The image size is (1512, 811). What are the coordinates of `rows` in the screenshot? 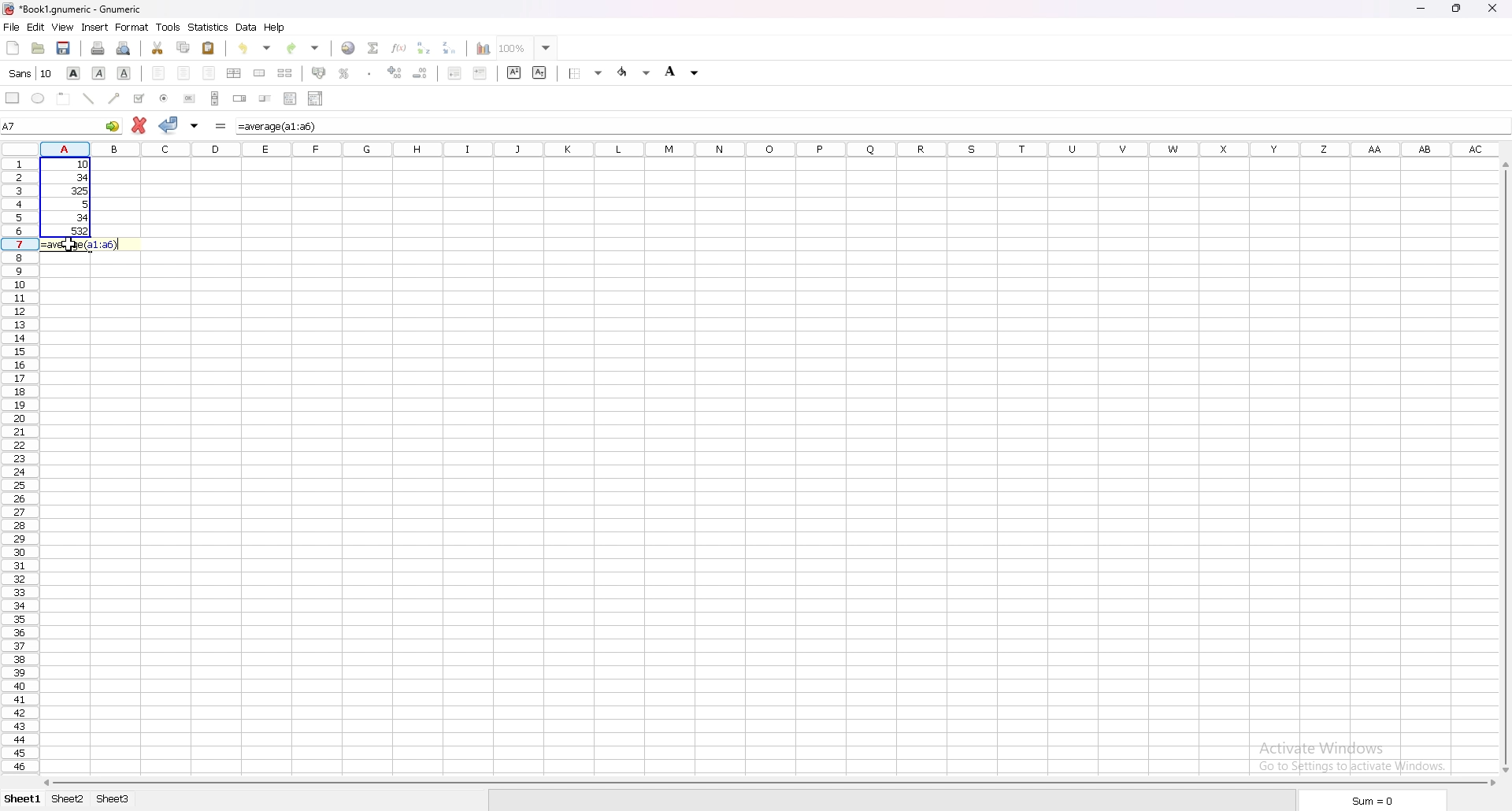 It's located at (17, 468).